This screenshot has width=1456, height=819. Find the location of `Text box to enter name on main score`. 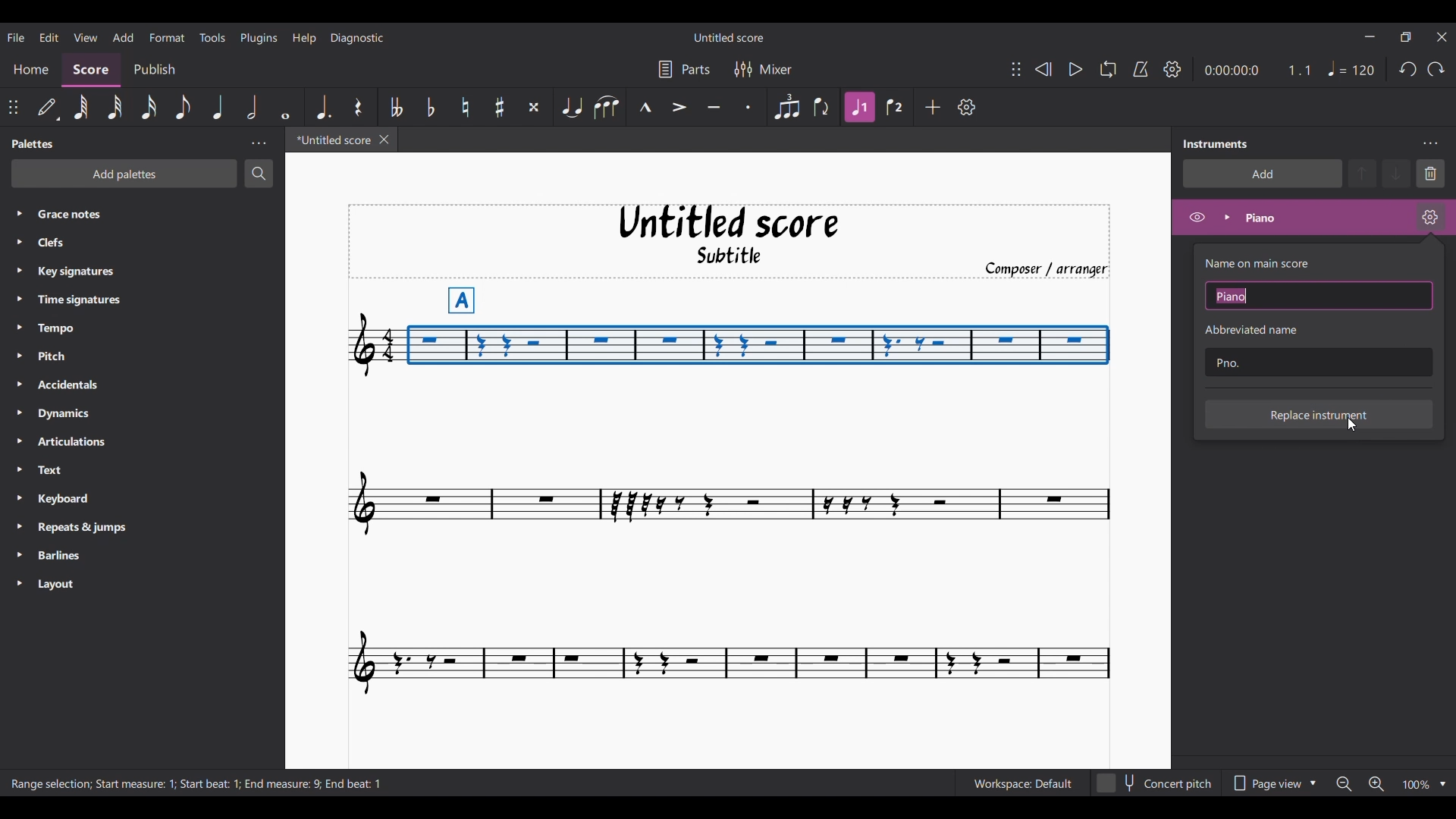

Text box to enter name on main score is located at coordinates (1319, 296).